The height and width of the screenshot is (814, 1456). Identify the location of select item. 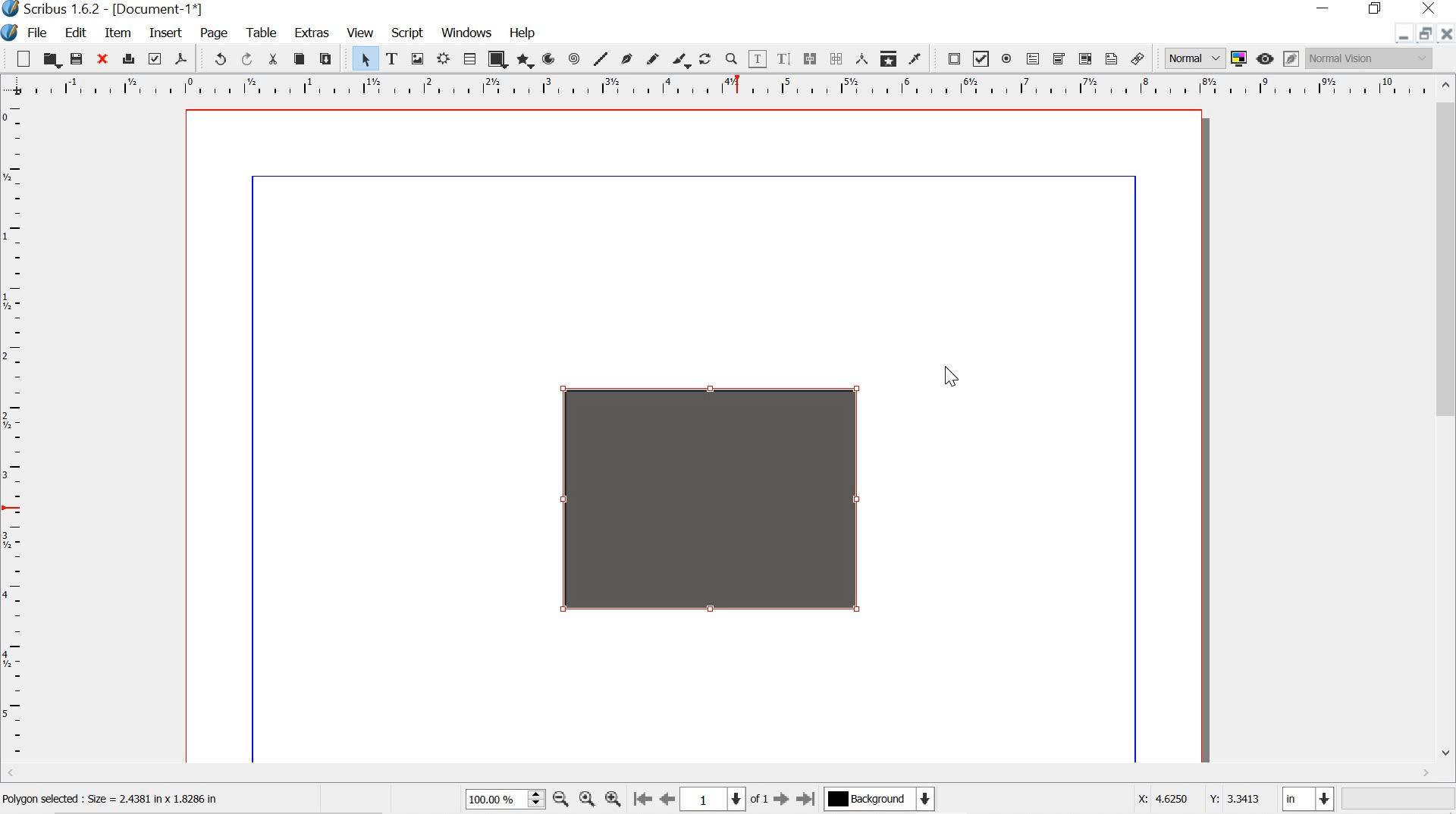
(363, 58).